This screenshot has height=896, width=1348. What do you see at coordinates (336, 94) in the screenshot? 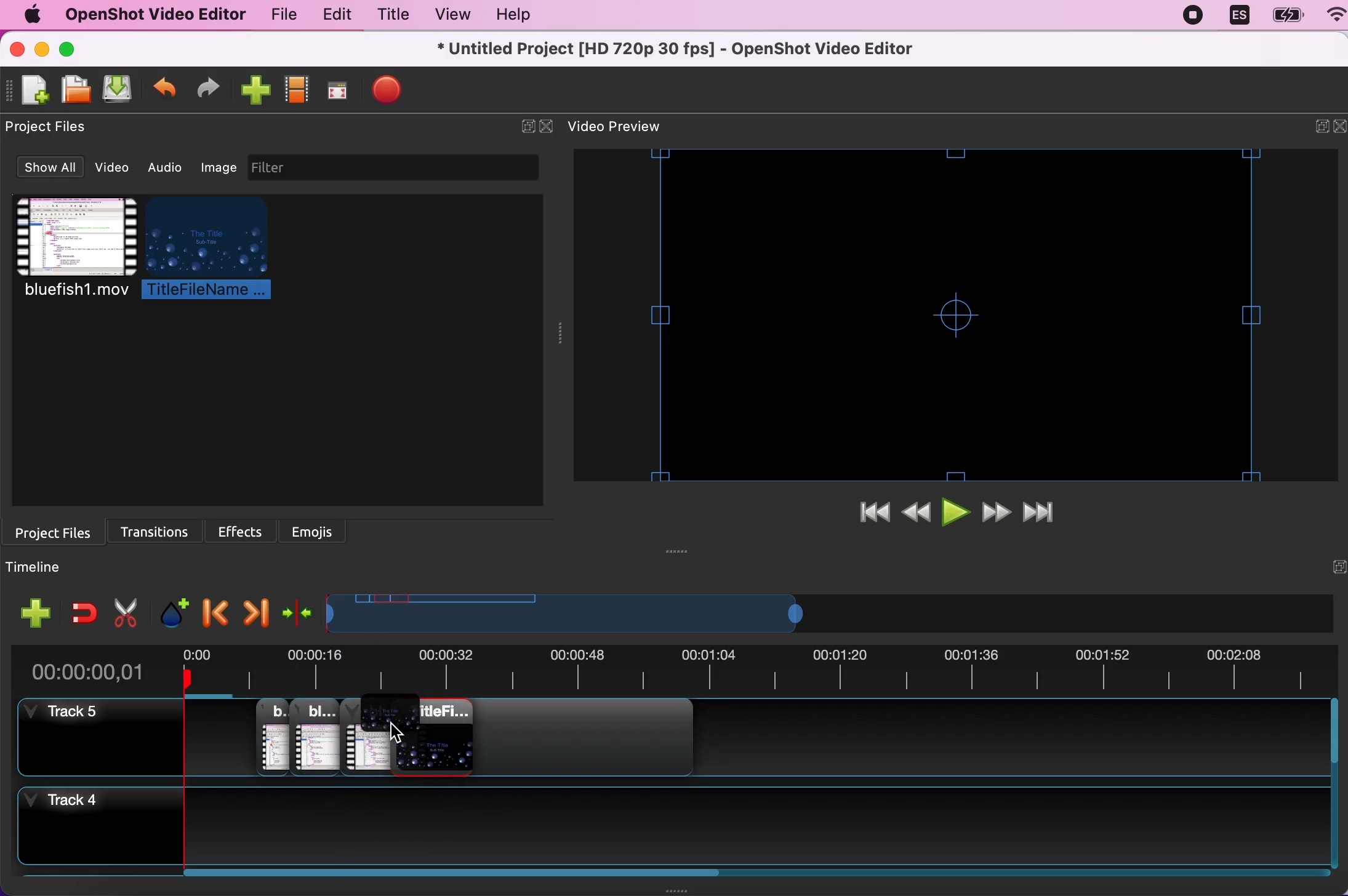
I see `full screen` at bounding box center [336, 94].